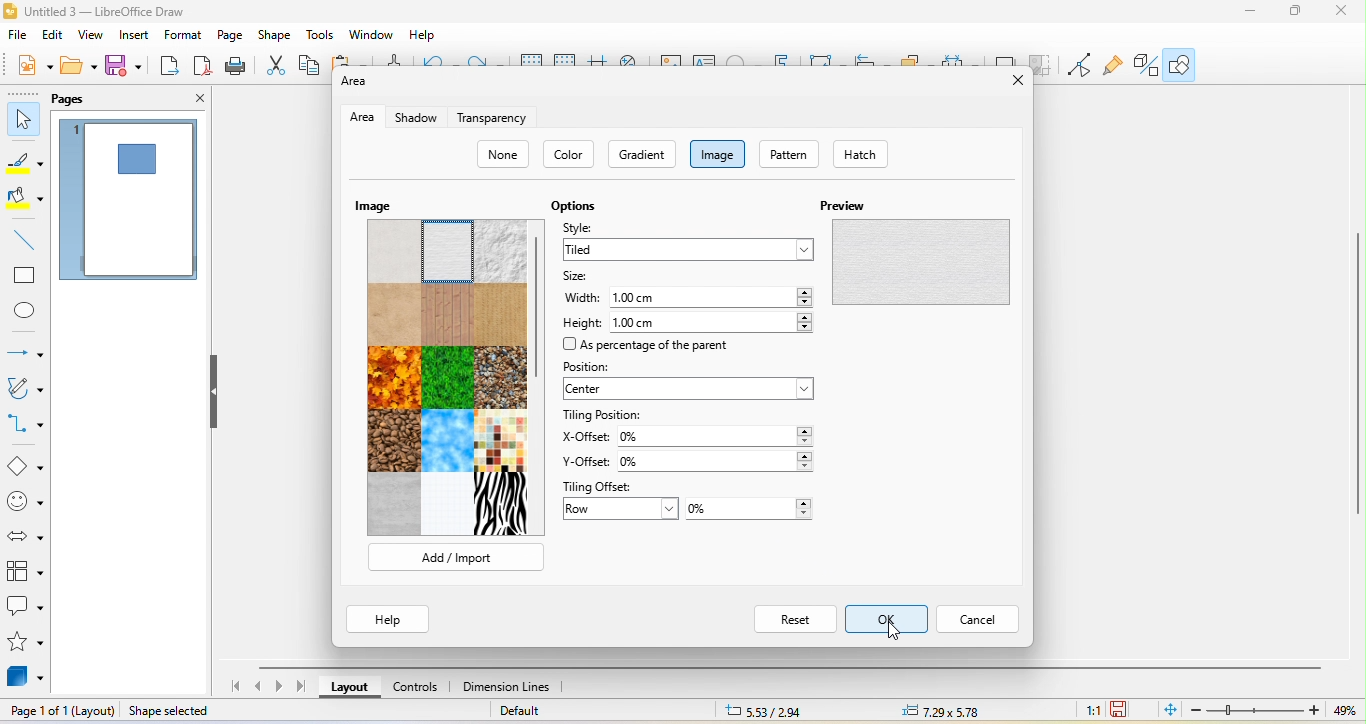 This screenshot has height=724, width=1366. I want to click on zoom and pan, so click(632, 61).